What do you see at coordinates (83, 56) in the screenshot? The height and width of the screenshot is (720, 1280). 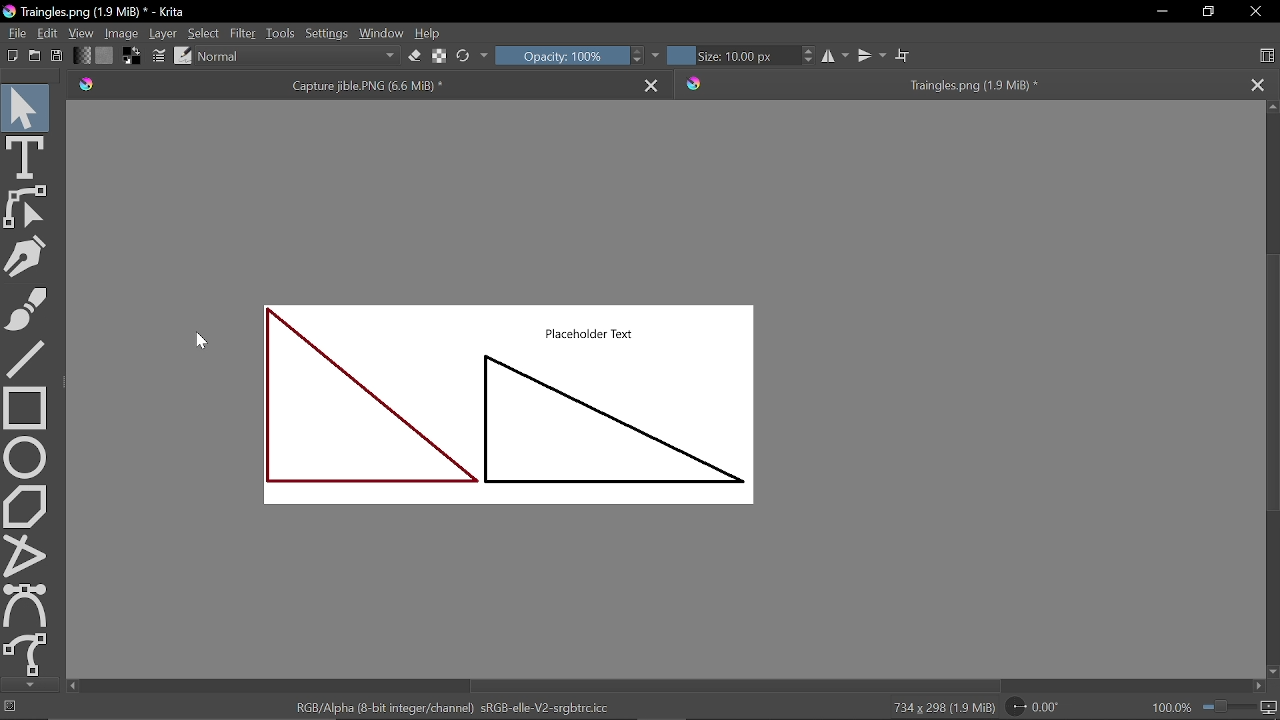 I see `Fill gradient` at bounding box center [83, 56].